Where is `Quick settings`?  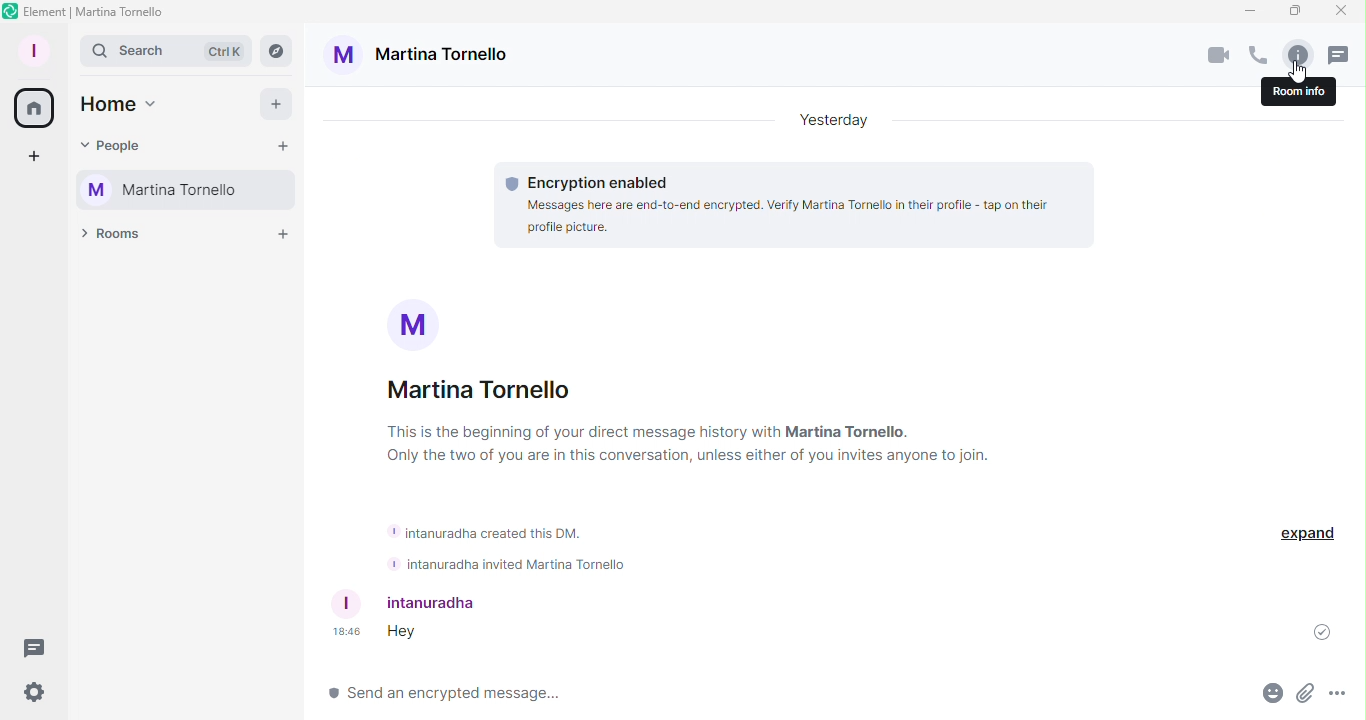 Quick settings is located at coordinates (31, 694).